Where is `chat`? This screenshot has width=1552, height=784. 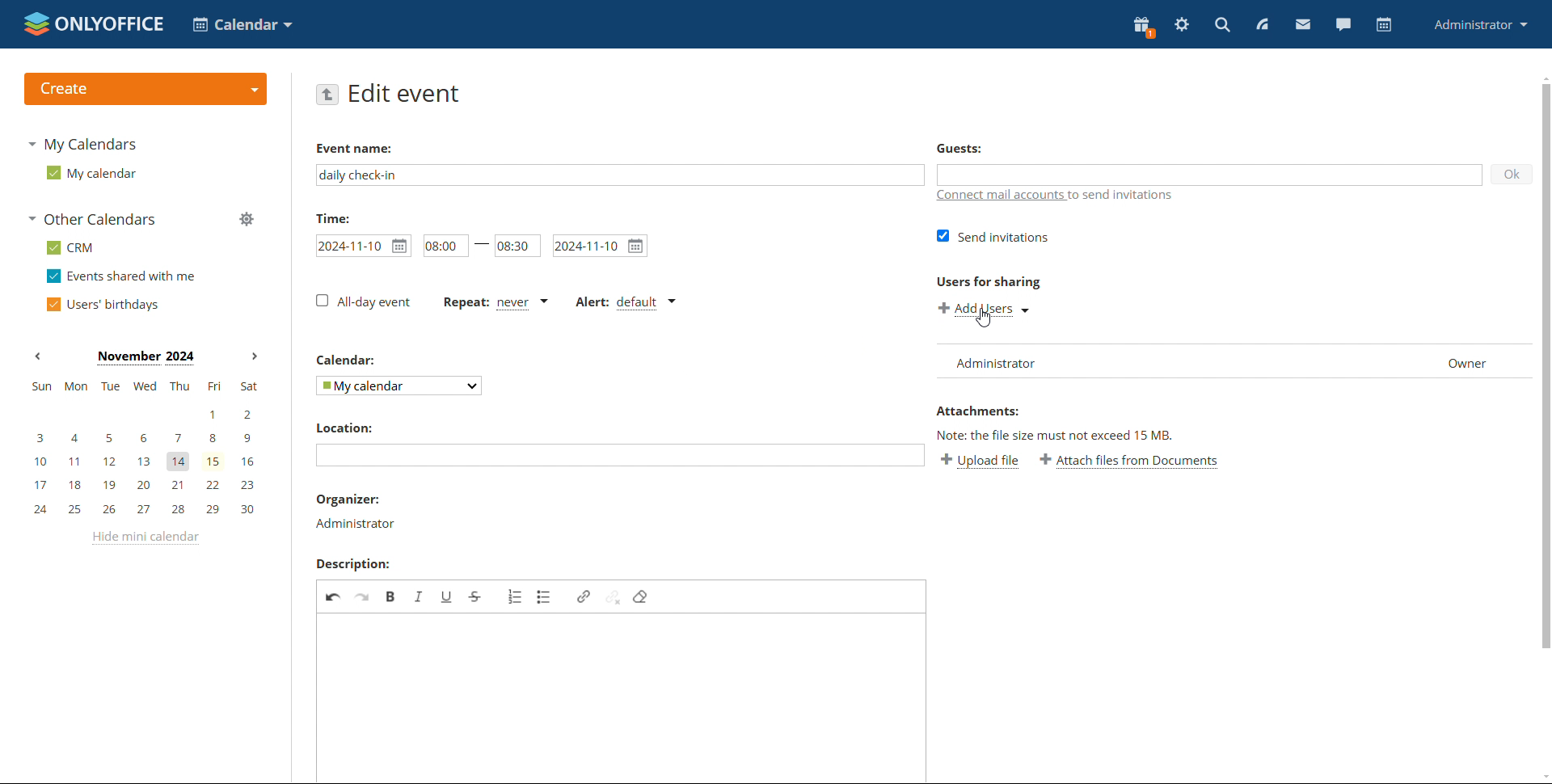 chat is located at coordinates (1343, 24).